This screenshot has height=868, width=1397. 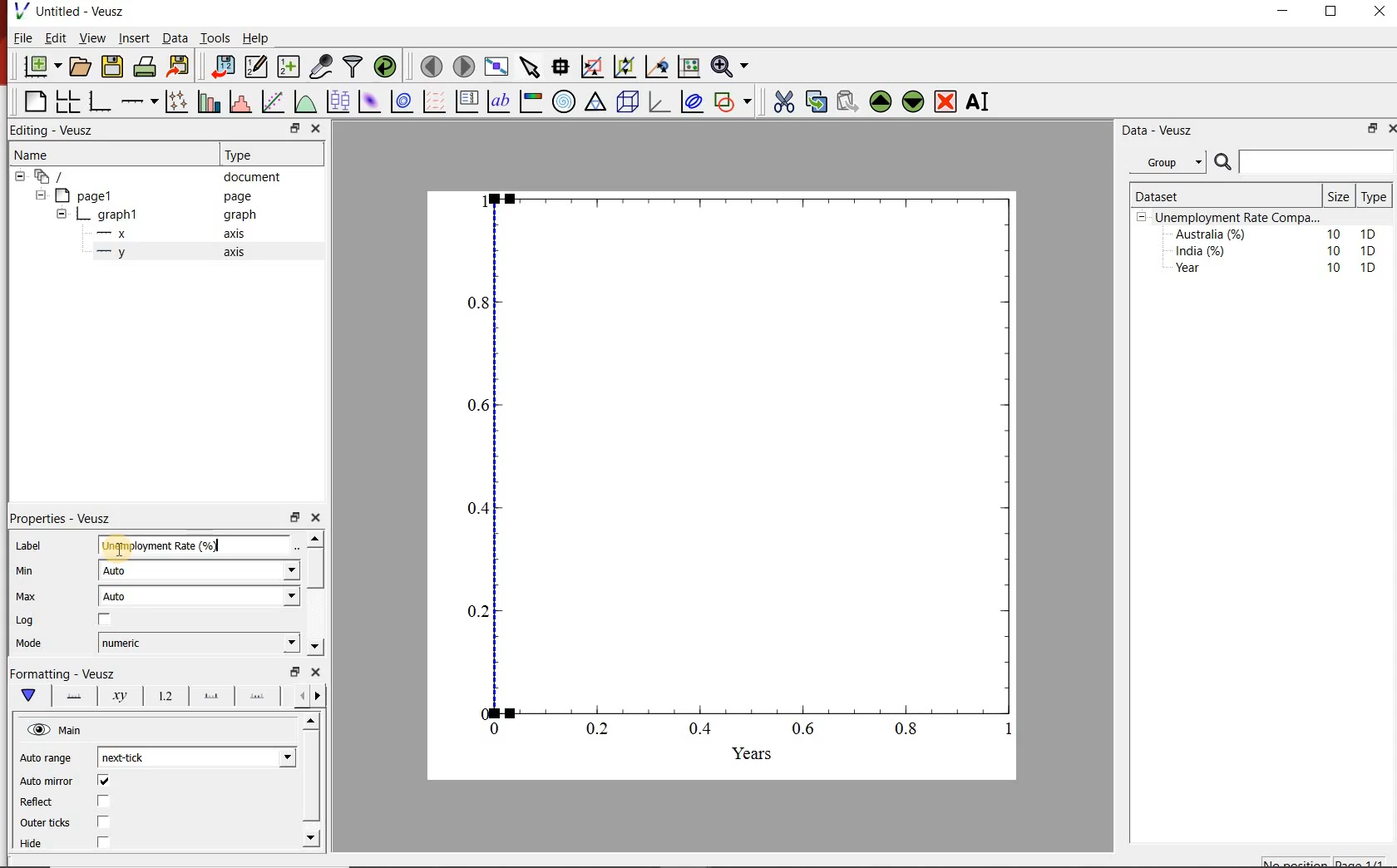 What do you see at coordinates (689, 65) in the screenshot?
I see `click to resset graph axes` at bounding box center [689, 65].